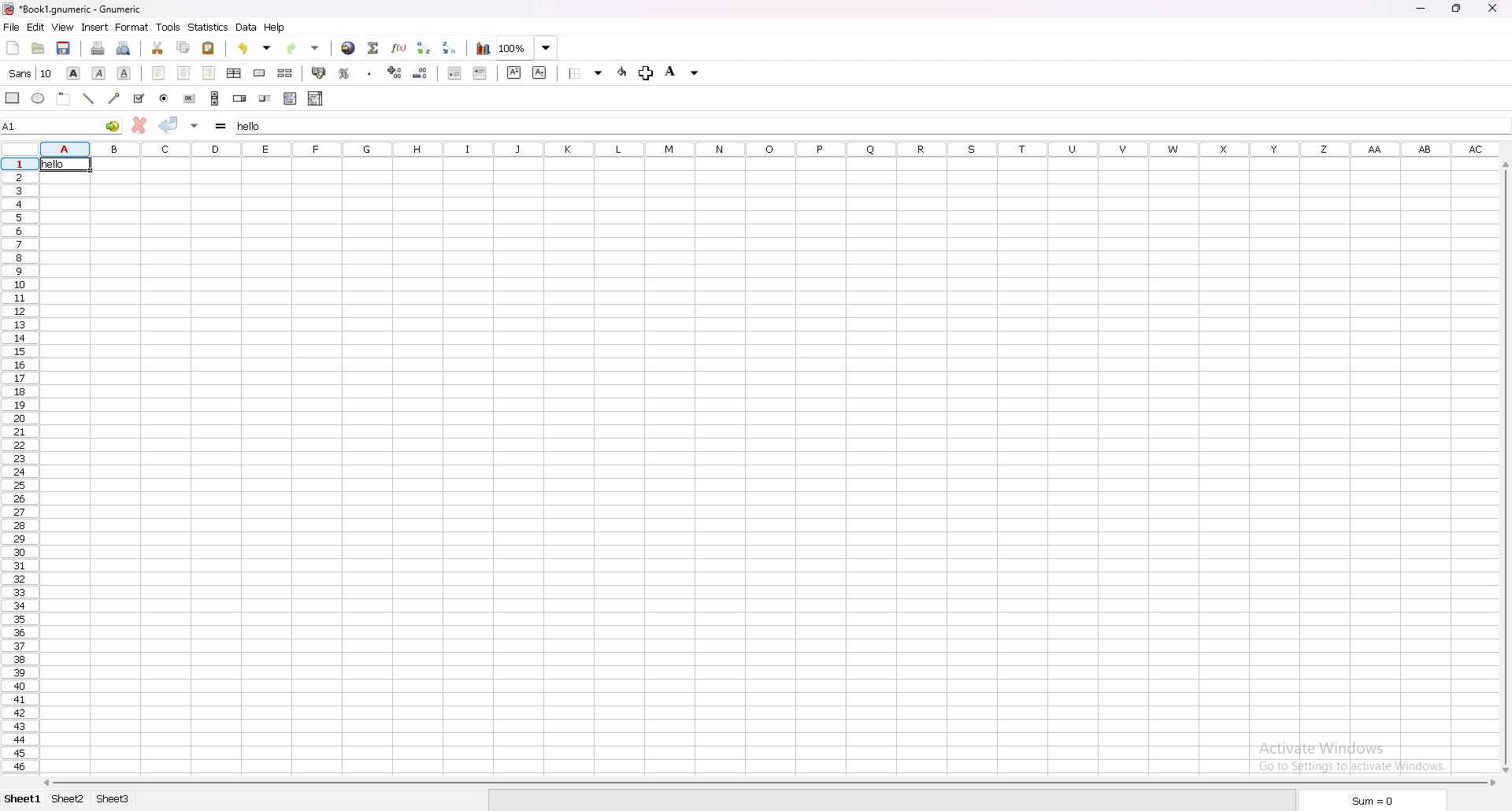  What do you see at coordinates (209, 48) in the screenshot?
I see `paste` at bounding box center [209, 48].